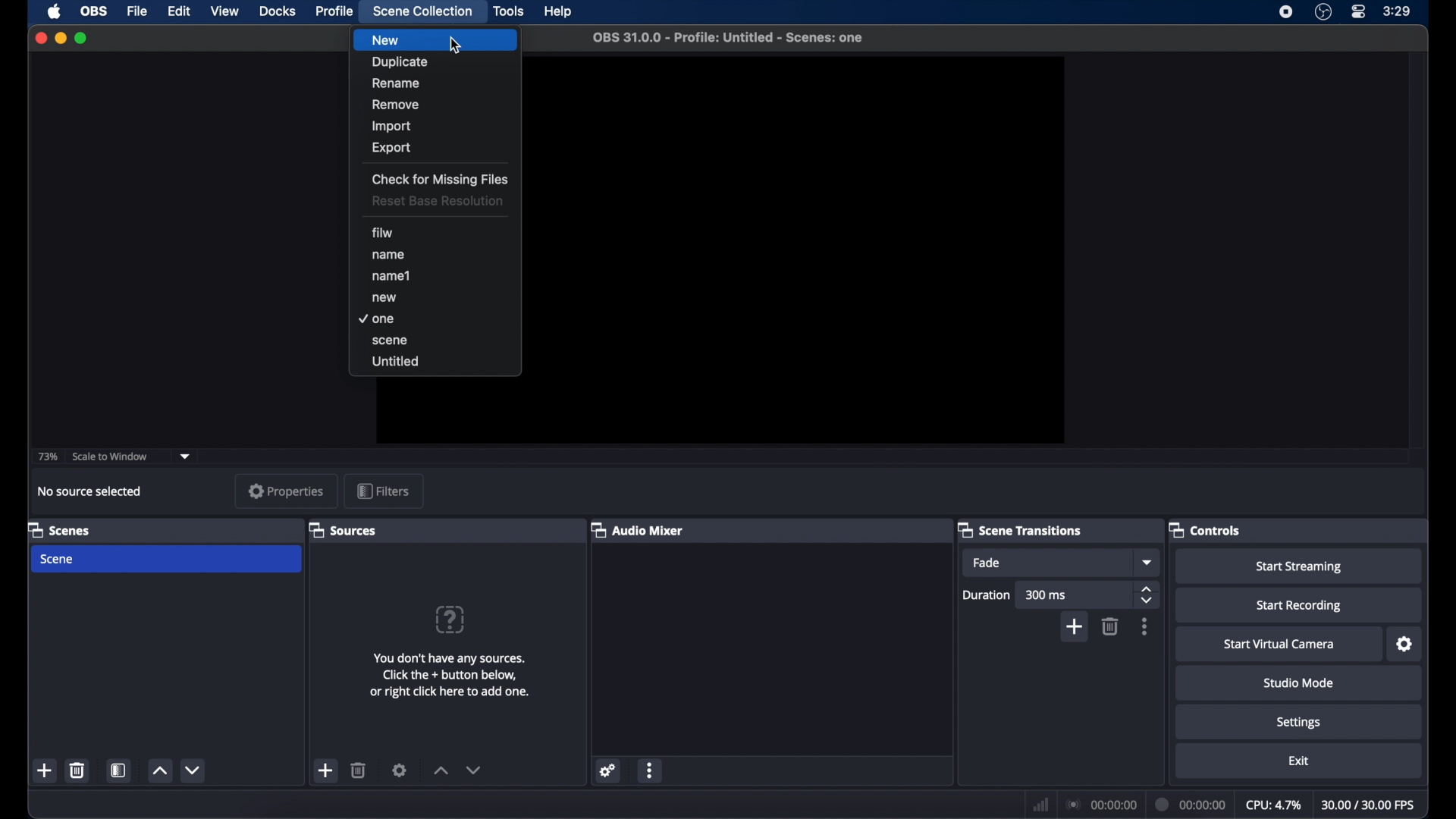 This screenshot has width=1456, height=819. Describe the element at coordinates (435, 40) in the screenshot. I see `New` at that location.